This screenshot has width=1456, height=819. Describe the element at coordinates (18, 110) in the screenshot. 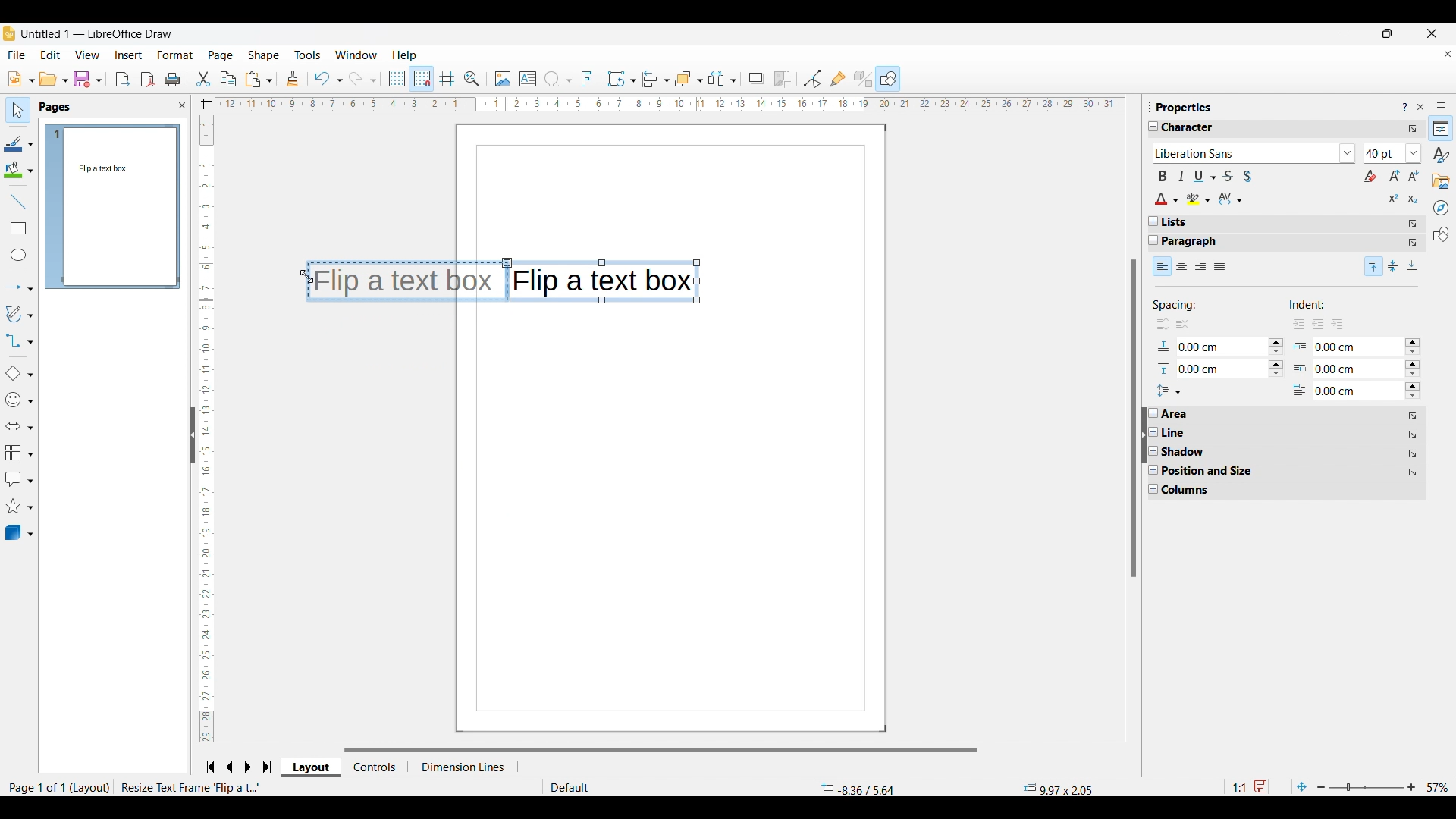

I see `Select, current selection` at that location.